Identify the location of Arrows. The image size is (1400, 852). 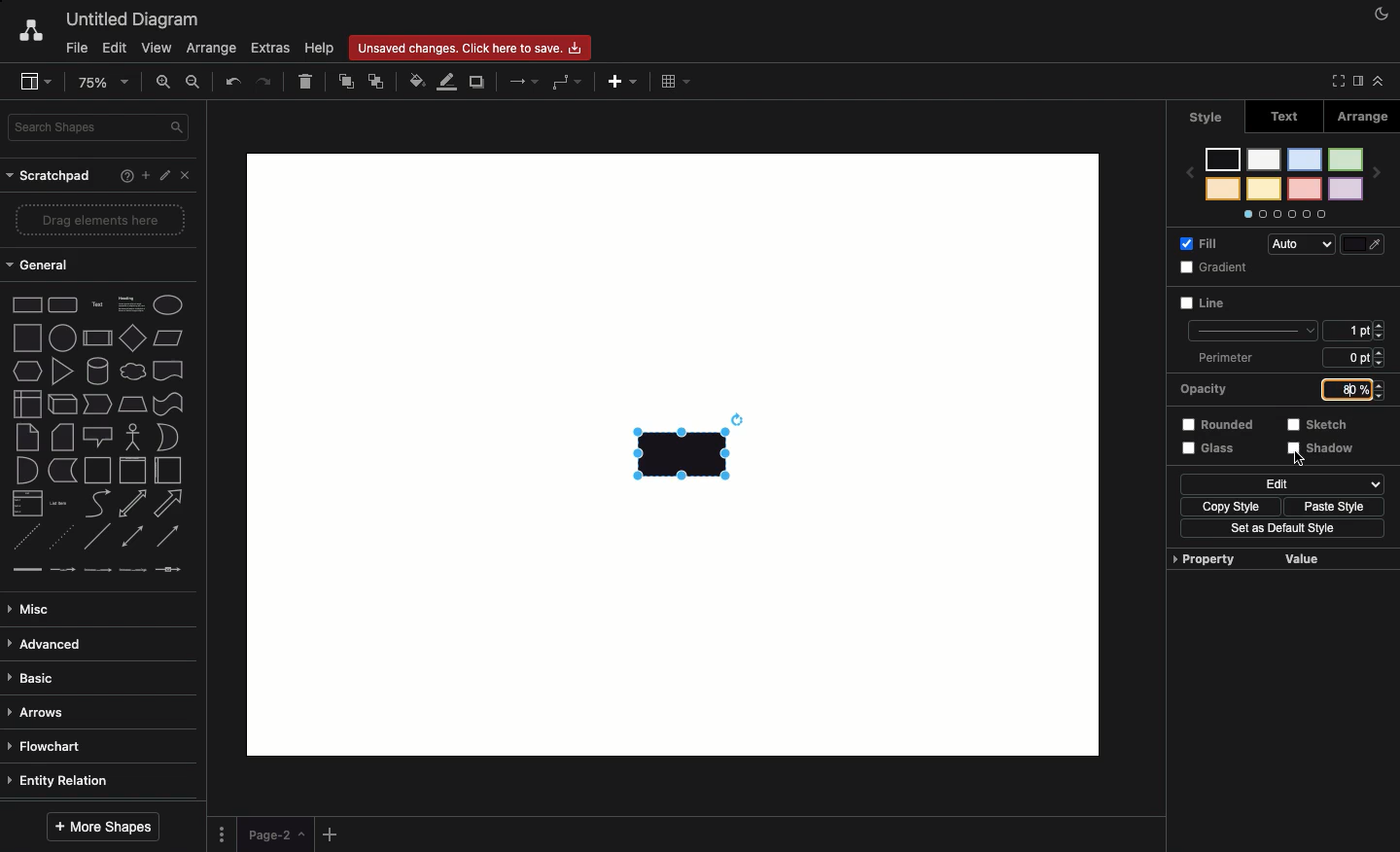
(519, 81).